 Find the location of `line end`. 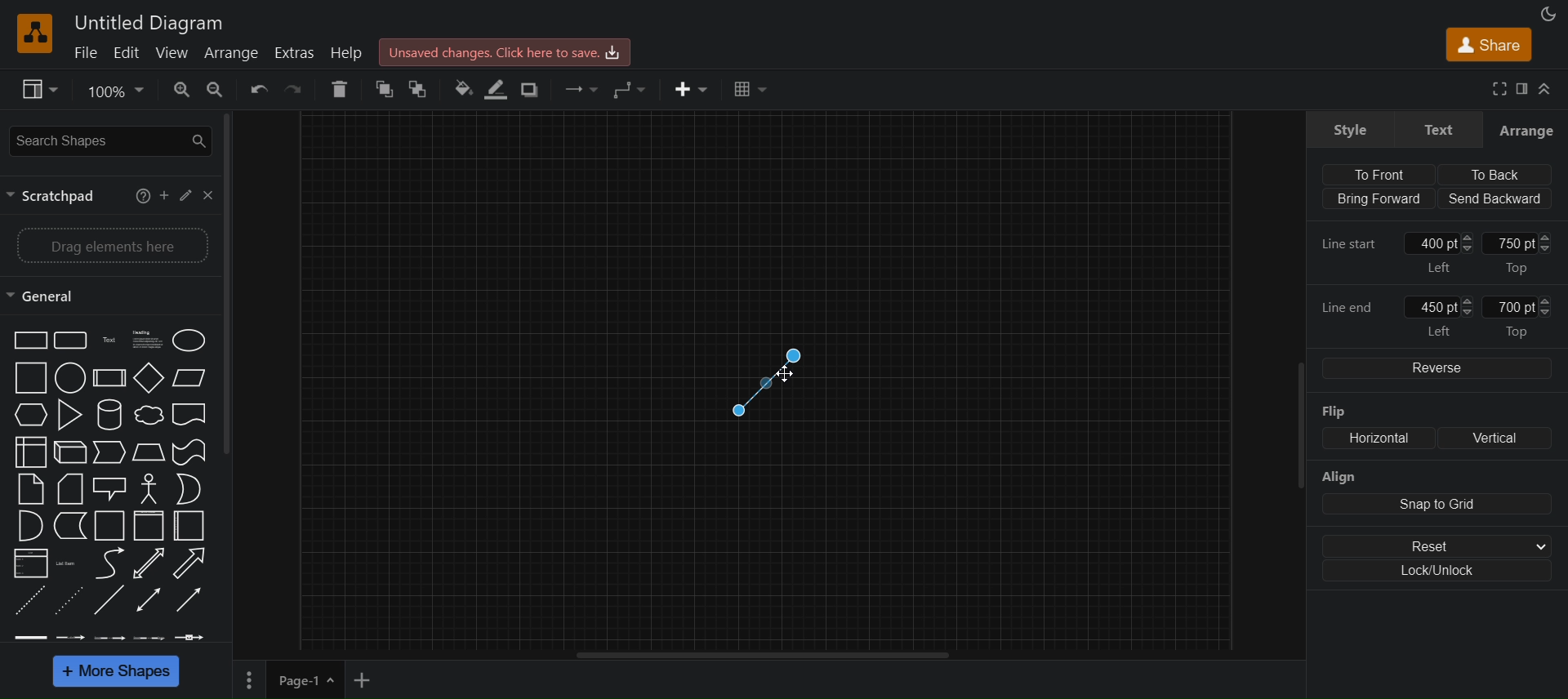

line end is located at coordinates (1352, 307).